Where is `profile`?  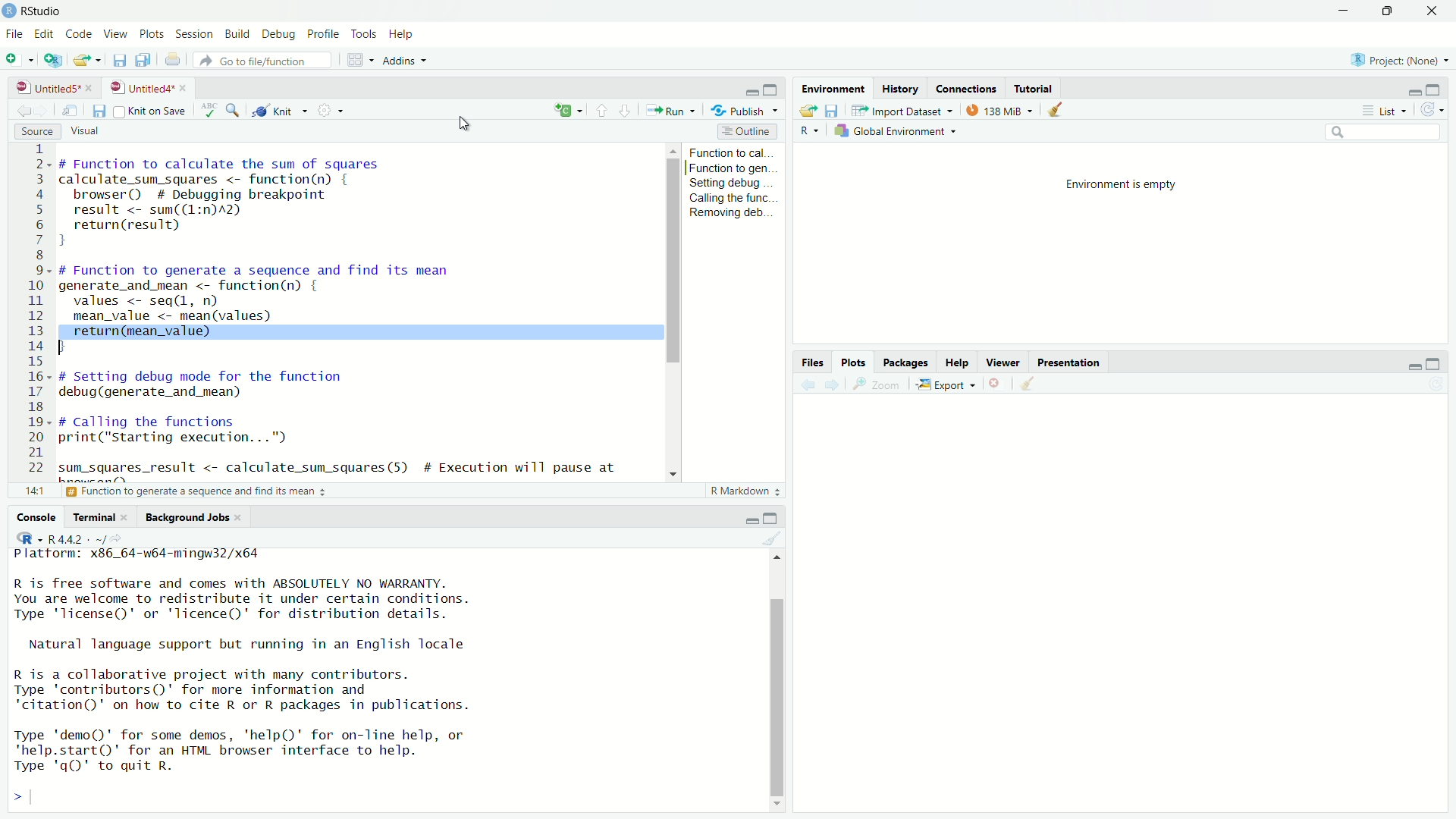
profile is located at coordinates (321, 33).